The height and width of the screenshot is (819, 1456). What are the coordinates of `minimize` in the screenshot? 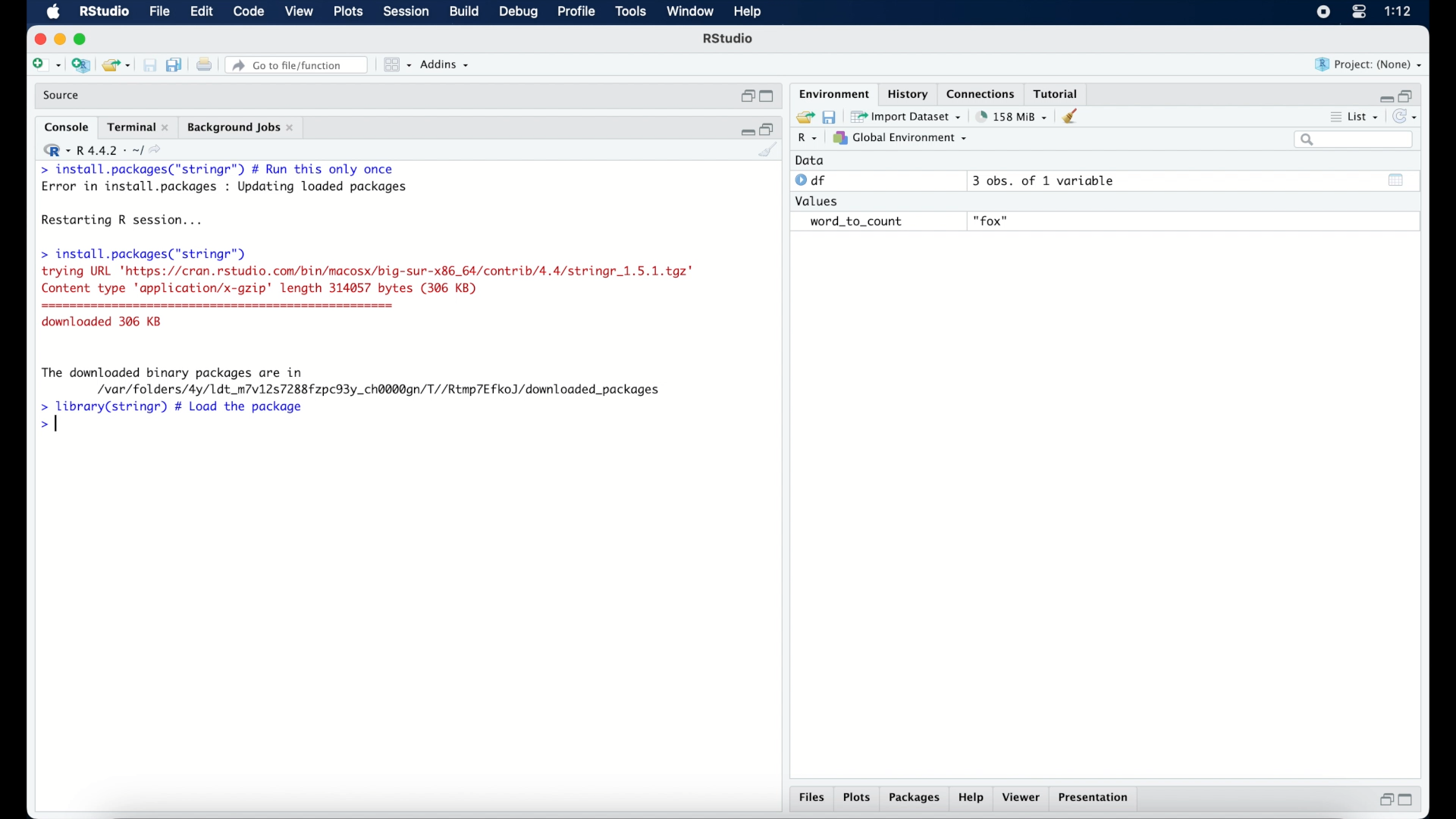 It's located at (745, 130).